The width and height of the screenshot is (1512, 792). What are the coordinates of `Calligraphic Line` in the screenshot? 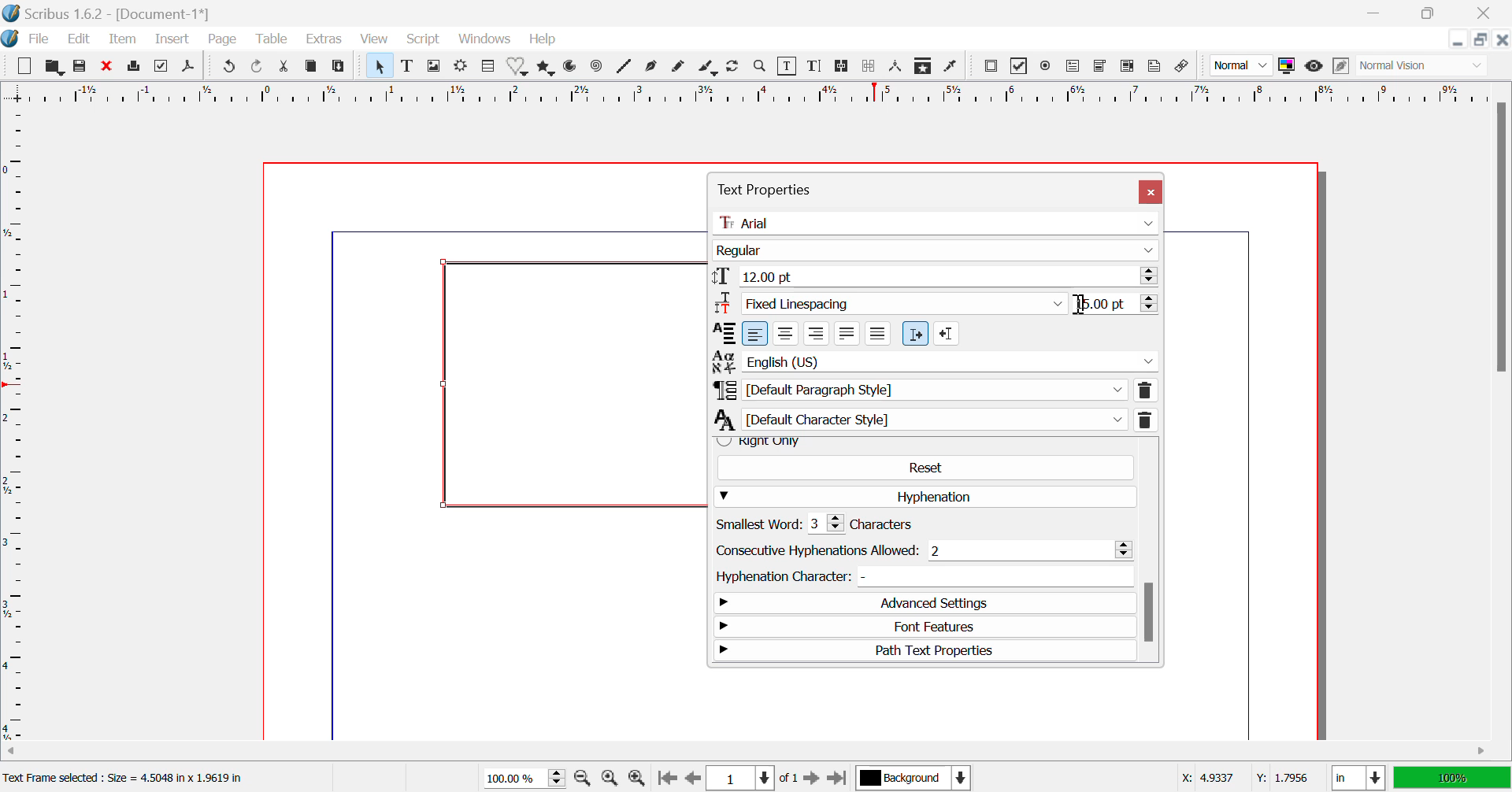 It's located at (707, 68).